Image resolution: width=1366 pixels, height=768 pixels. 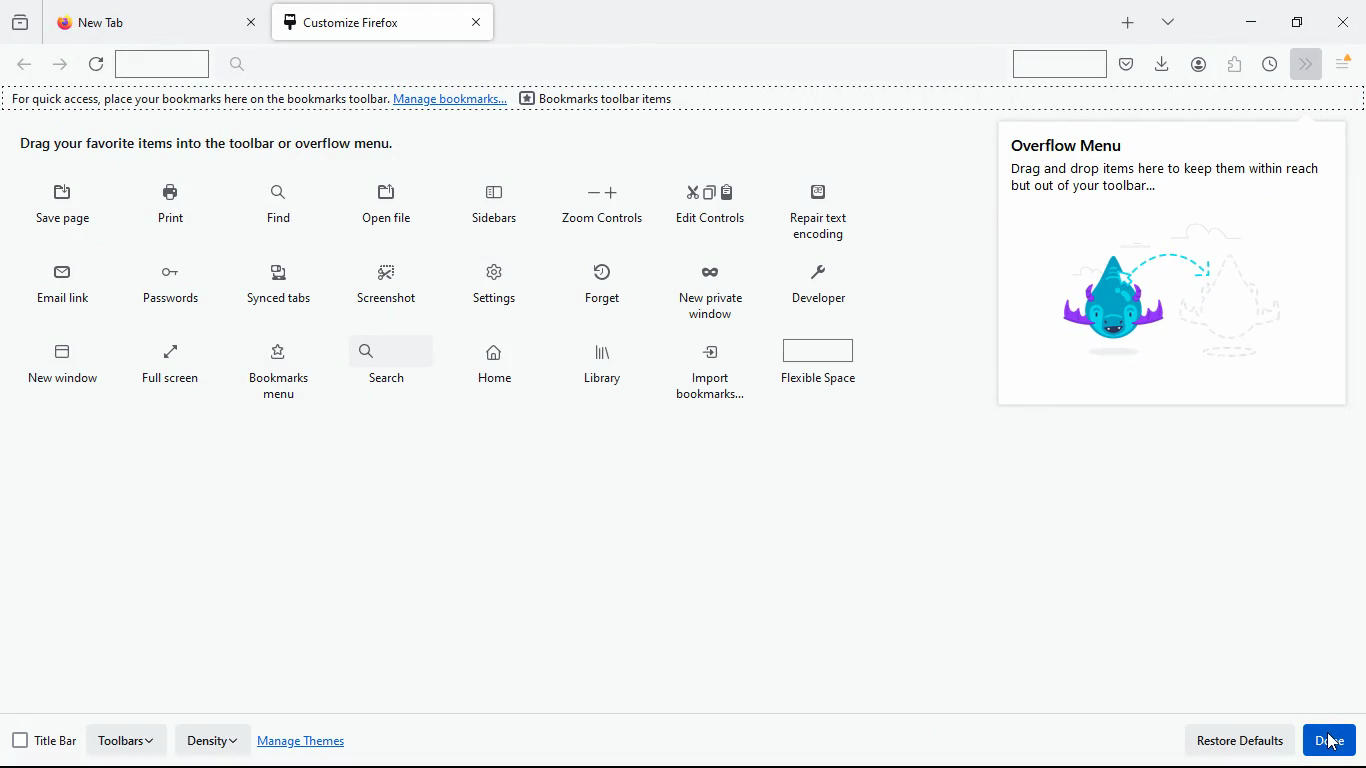 What do you see at coordinates (1304, 63) in the screenshot?
I see `next` at bounding box center [1304, 63].